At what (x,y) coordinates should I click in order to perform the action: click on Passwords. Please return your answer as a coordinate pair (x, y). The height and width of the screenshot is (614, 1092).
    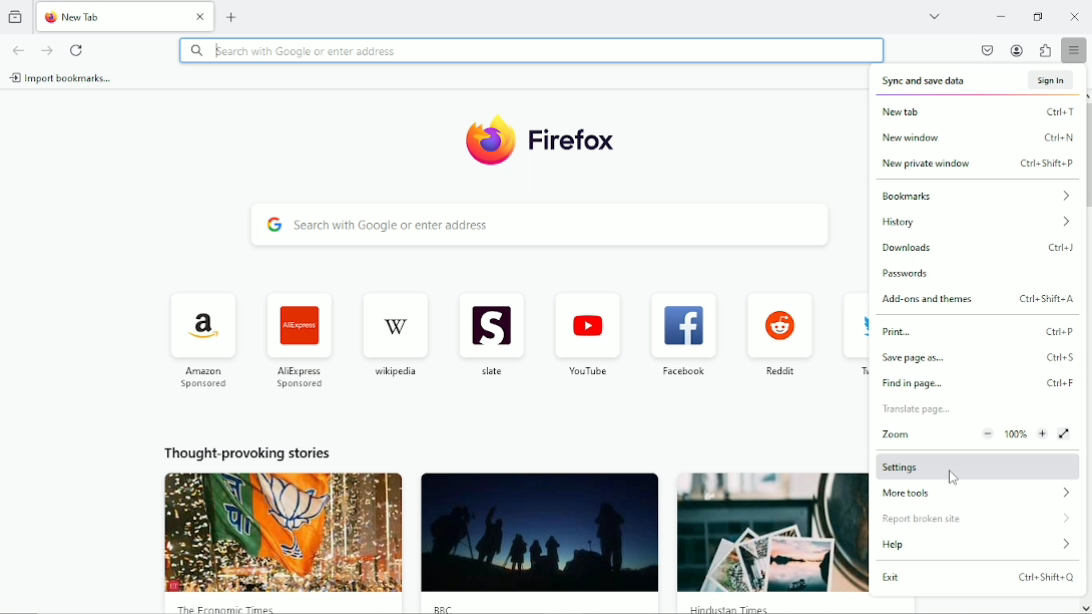
    Looking at the image, I should click on (908, 273).